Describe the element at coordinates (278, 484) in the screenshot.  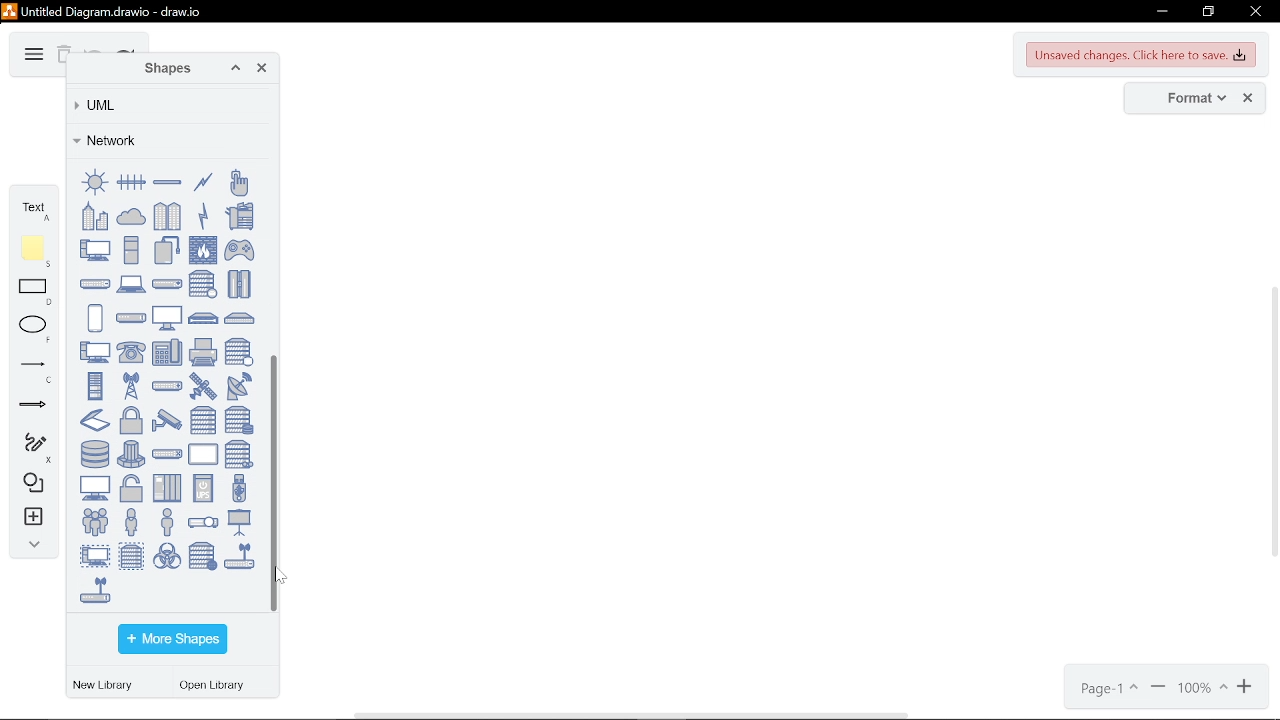
I see `vertical scrollbar` at that location.